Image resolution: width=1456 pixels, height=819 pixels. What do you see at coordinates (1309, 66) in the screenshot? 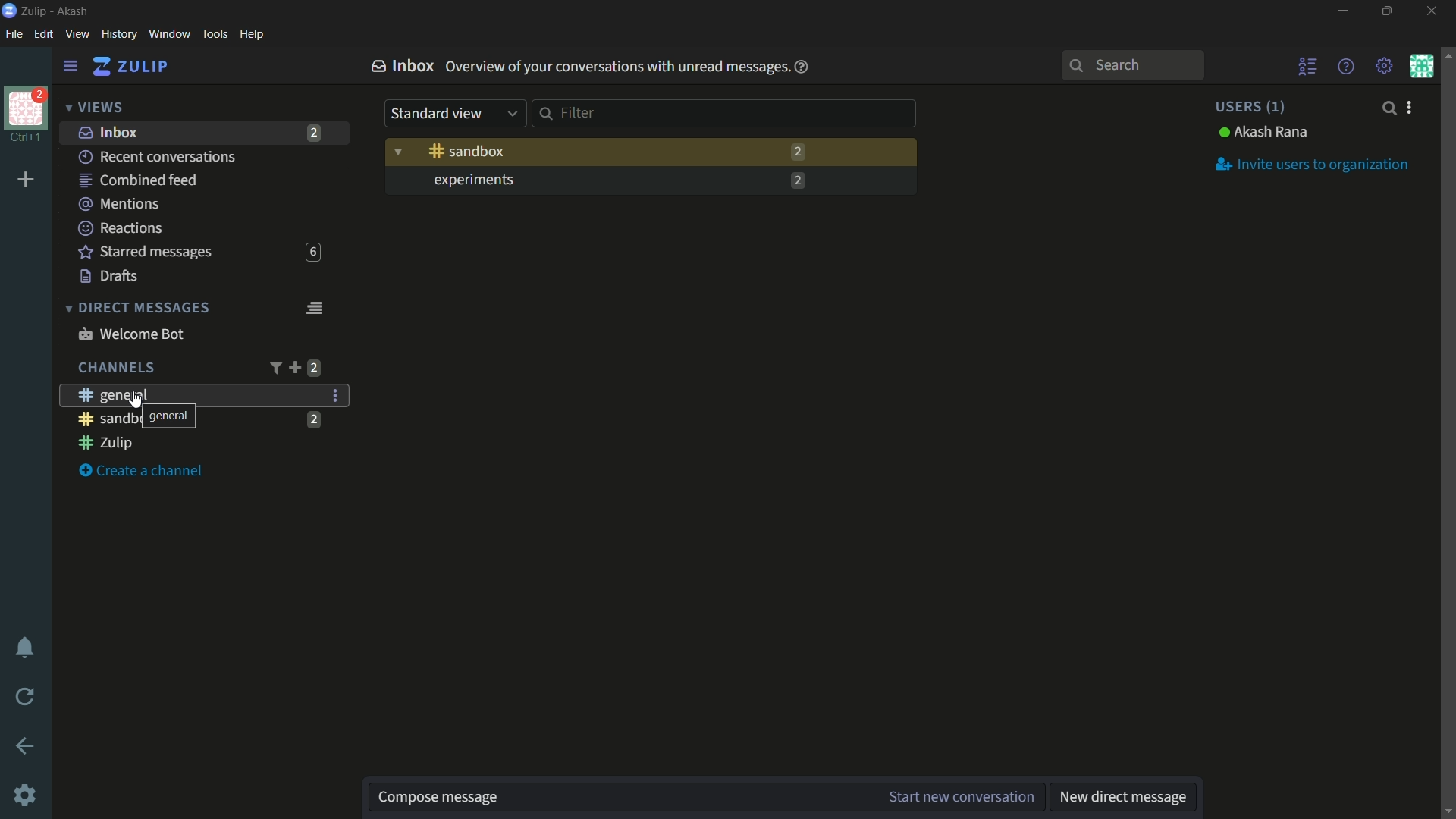
I see `user list` at bounding box center [1309, 66].